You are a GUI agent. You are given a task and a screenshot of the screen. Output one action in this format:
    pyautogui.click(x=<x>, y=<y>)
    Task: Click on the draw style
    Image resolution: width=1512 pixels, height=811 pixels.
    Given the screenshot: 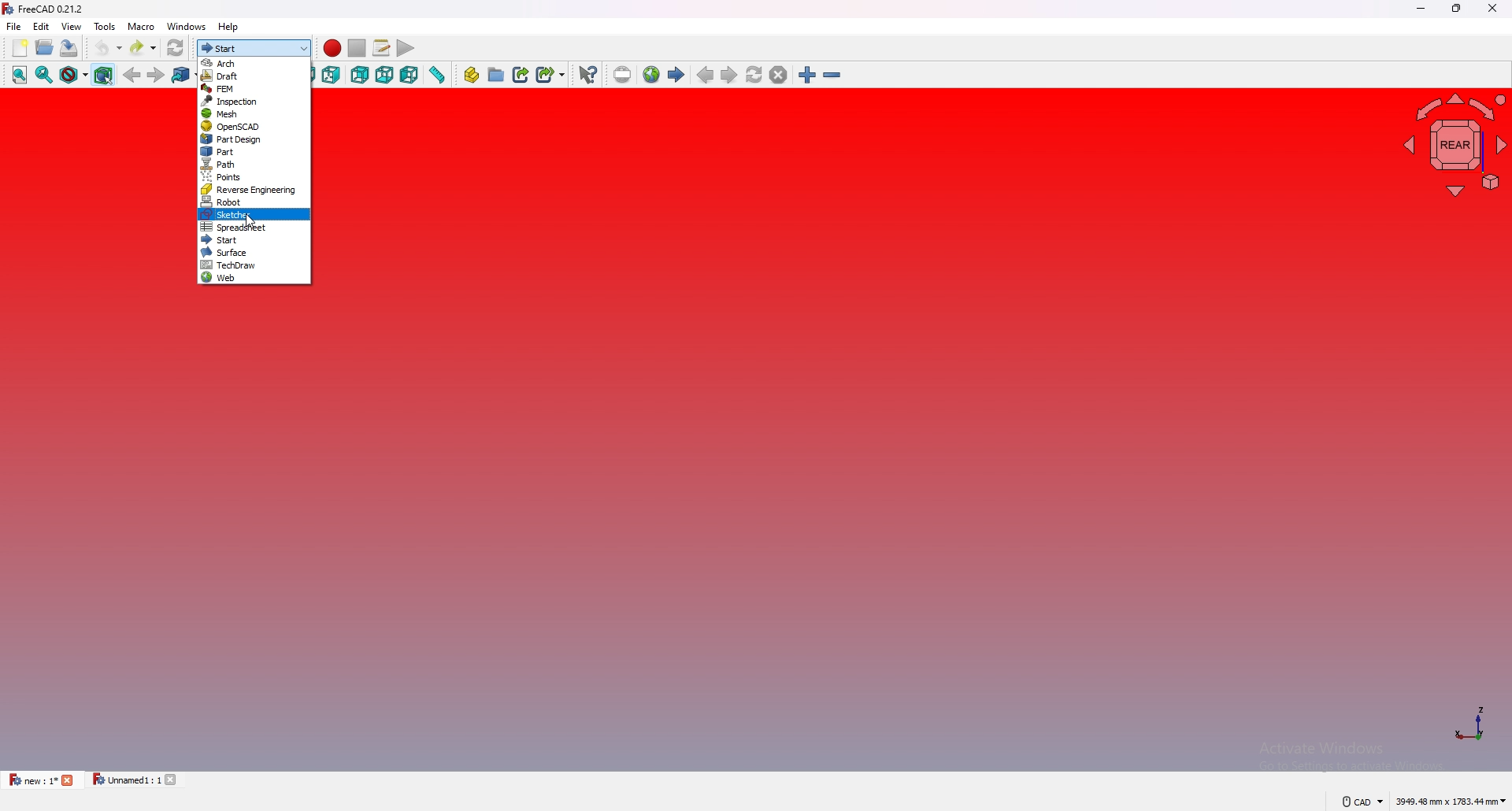 What is the action you would take?
    pyautogui.click(x=73, y=74)
    